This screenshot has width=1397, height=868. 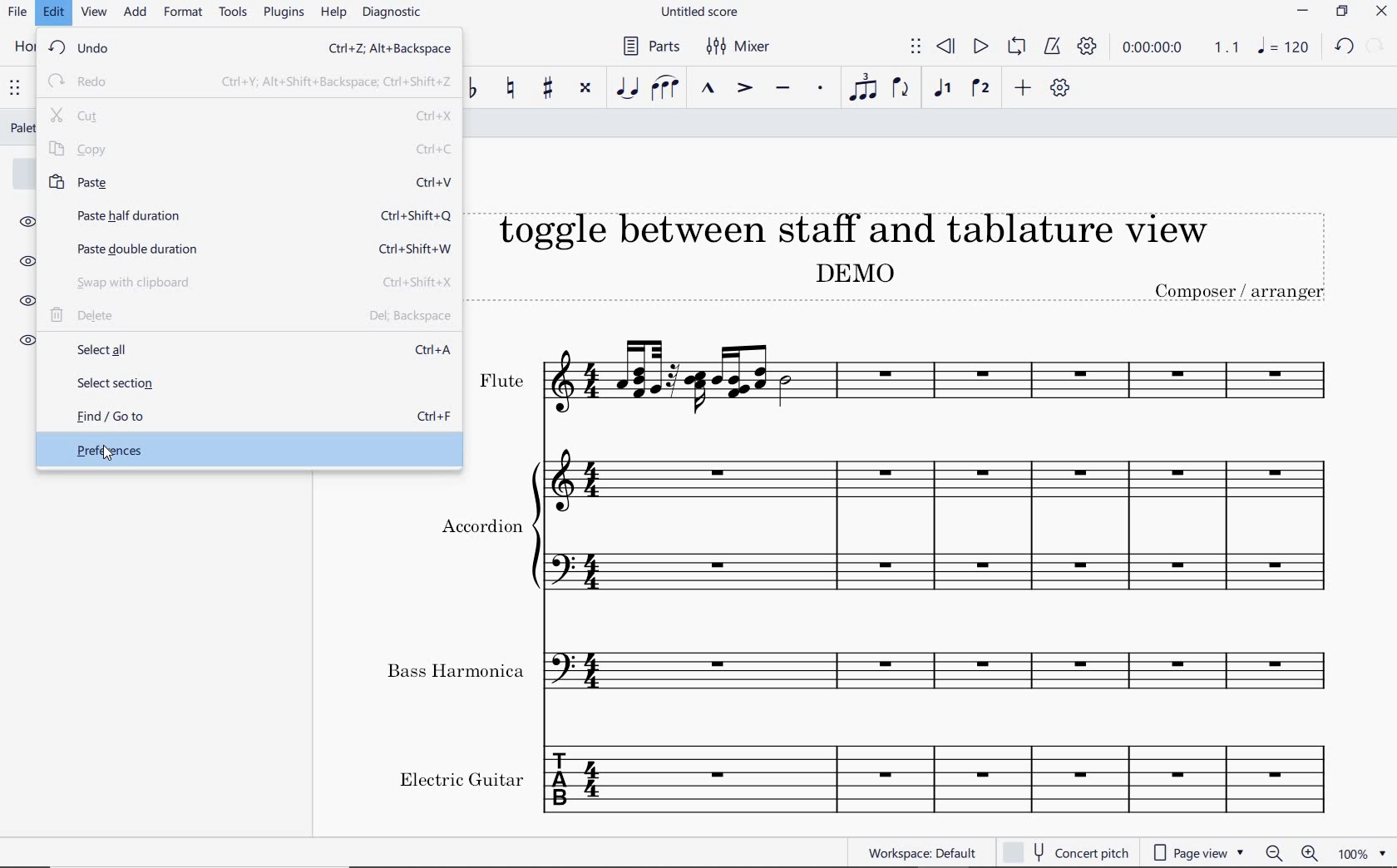 What do you see at coordinates (783, 89) in the screenshot?
I see `tenuto` at bounding box center [783, 89].